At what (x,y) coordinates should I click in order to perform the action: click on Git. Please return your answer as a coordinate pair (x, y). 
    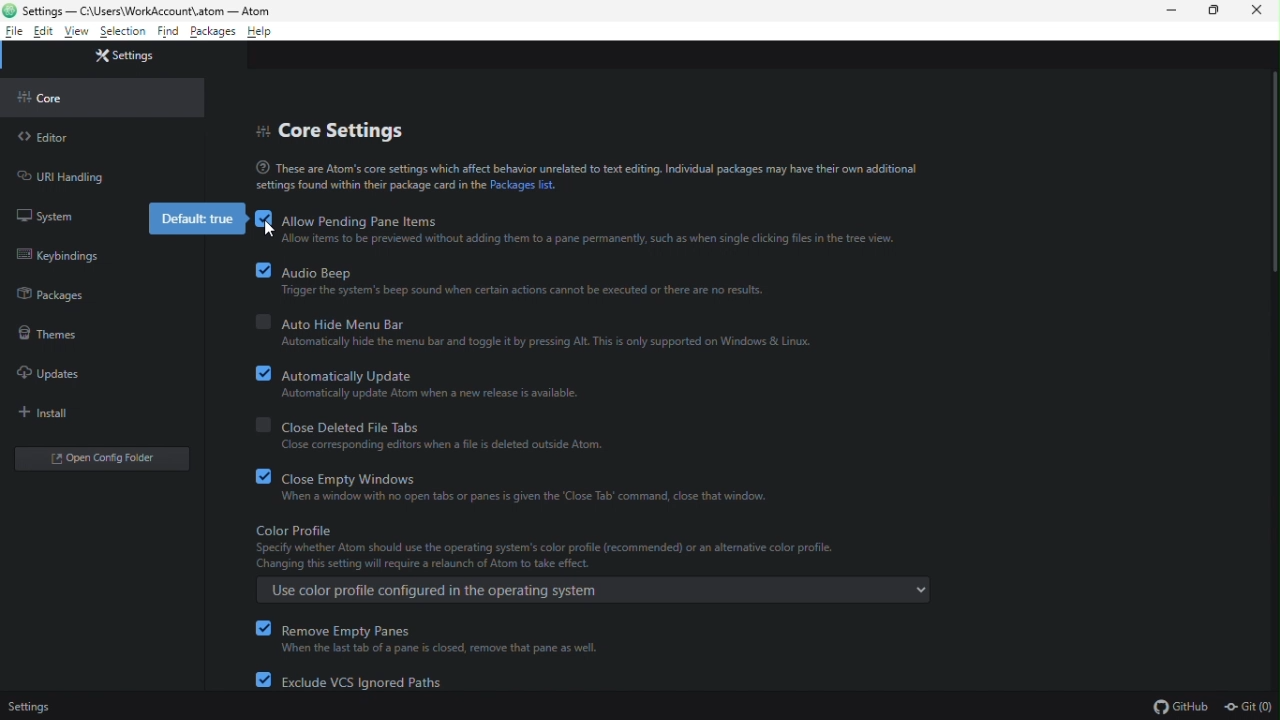
    Looking at the image, I should click on (1250, 707).